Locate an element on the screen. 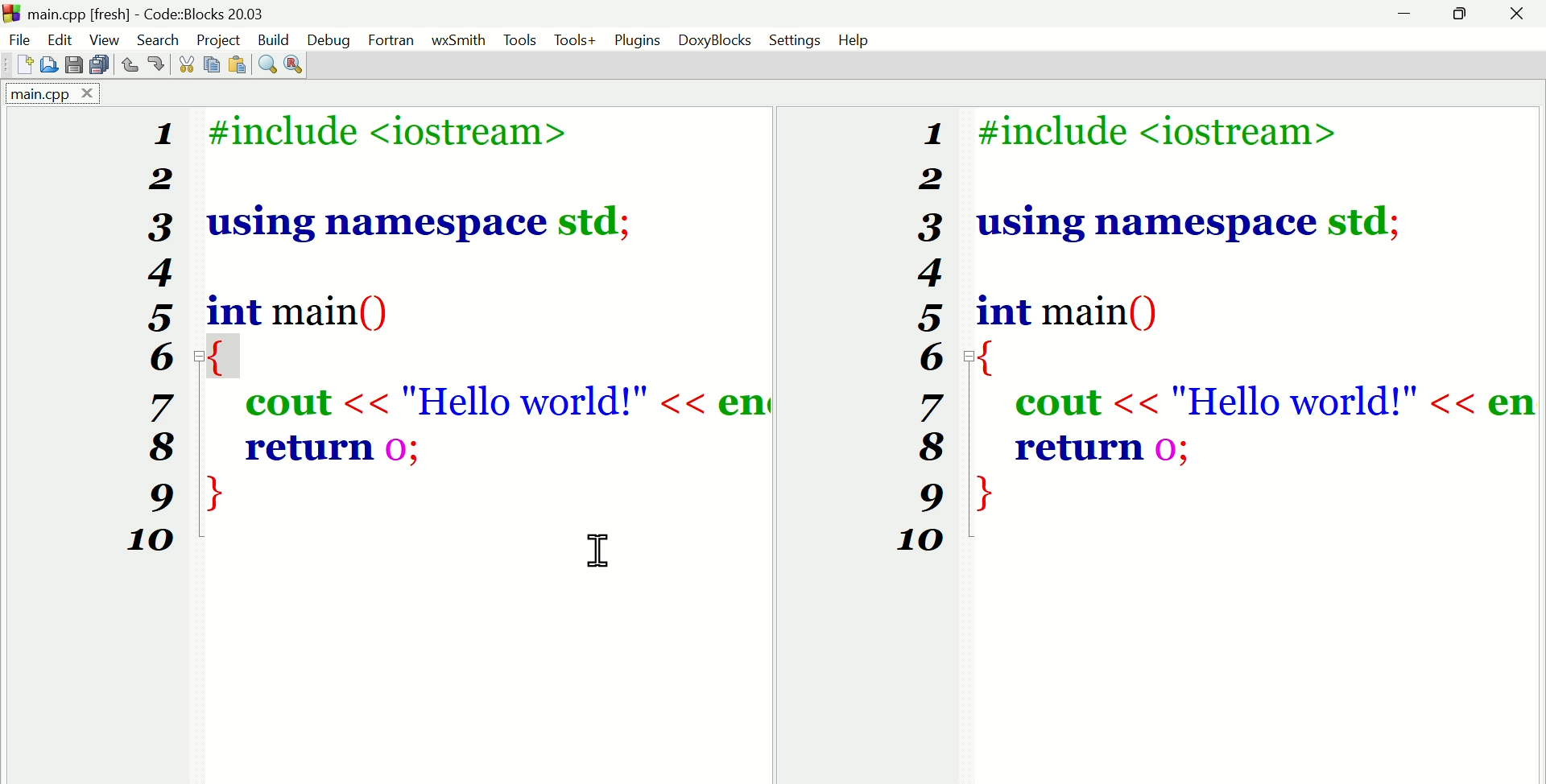 The image size is (1546, 784). Save is located at coordinates (72, 65).